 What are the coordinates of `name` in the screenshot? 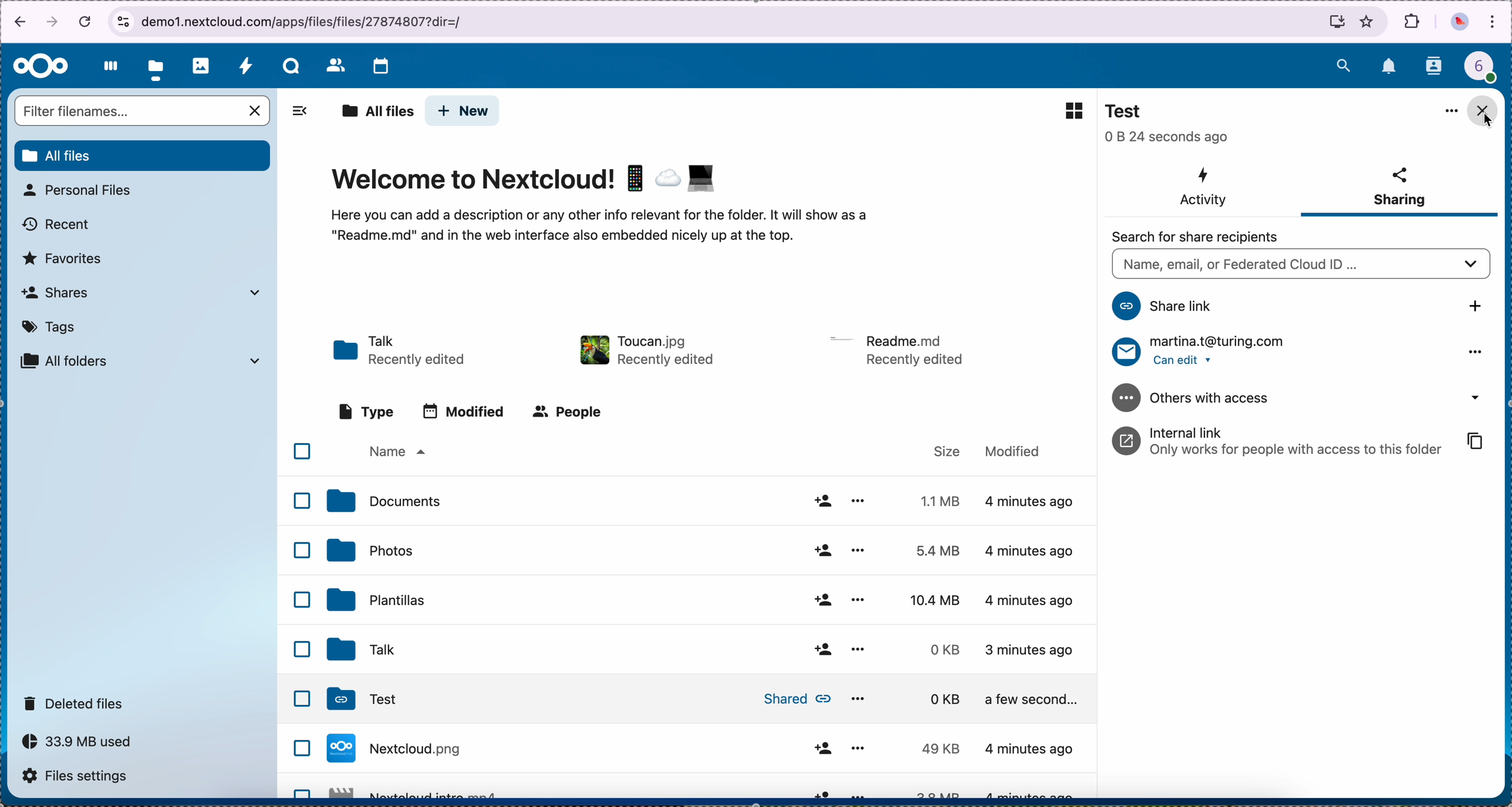 It's located at (396, 453).